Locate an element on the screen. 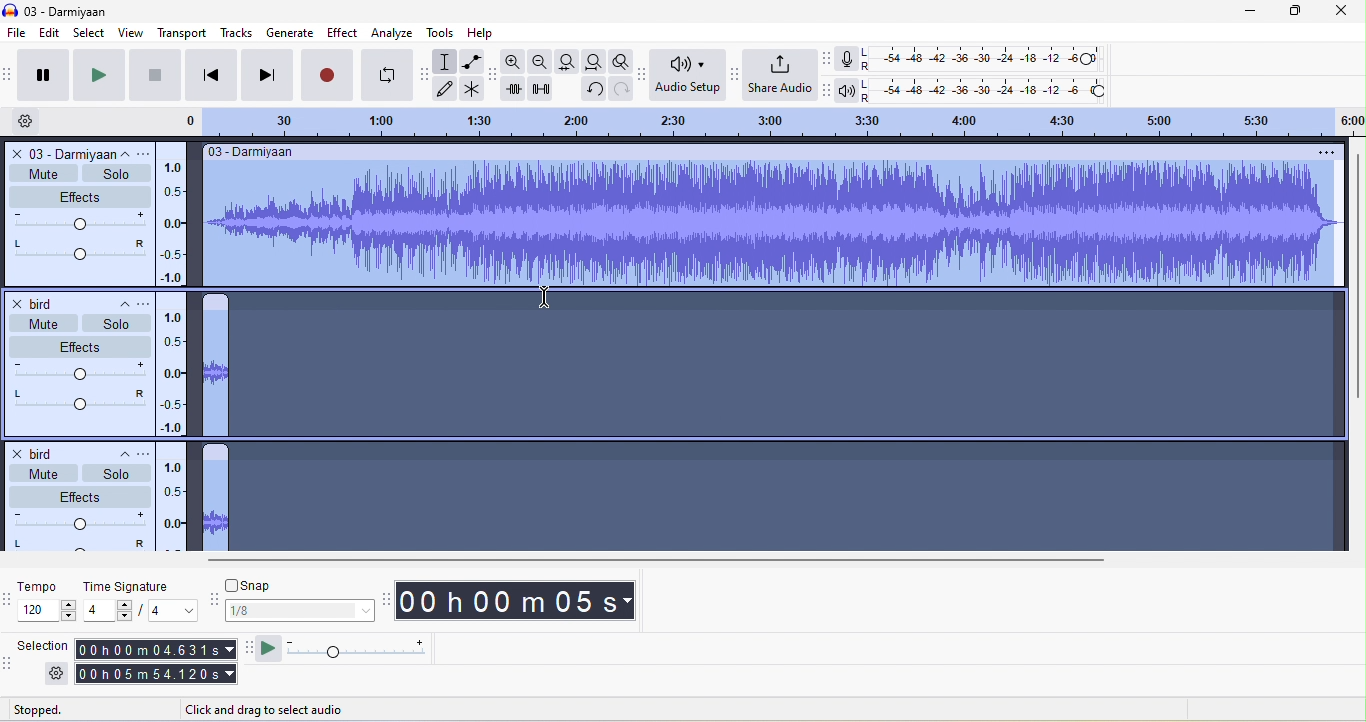 The width and height of the screenshot is (1366, 722). audacity time selection toolbar is located at coordinates (9, 598).